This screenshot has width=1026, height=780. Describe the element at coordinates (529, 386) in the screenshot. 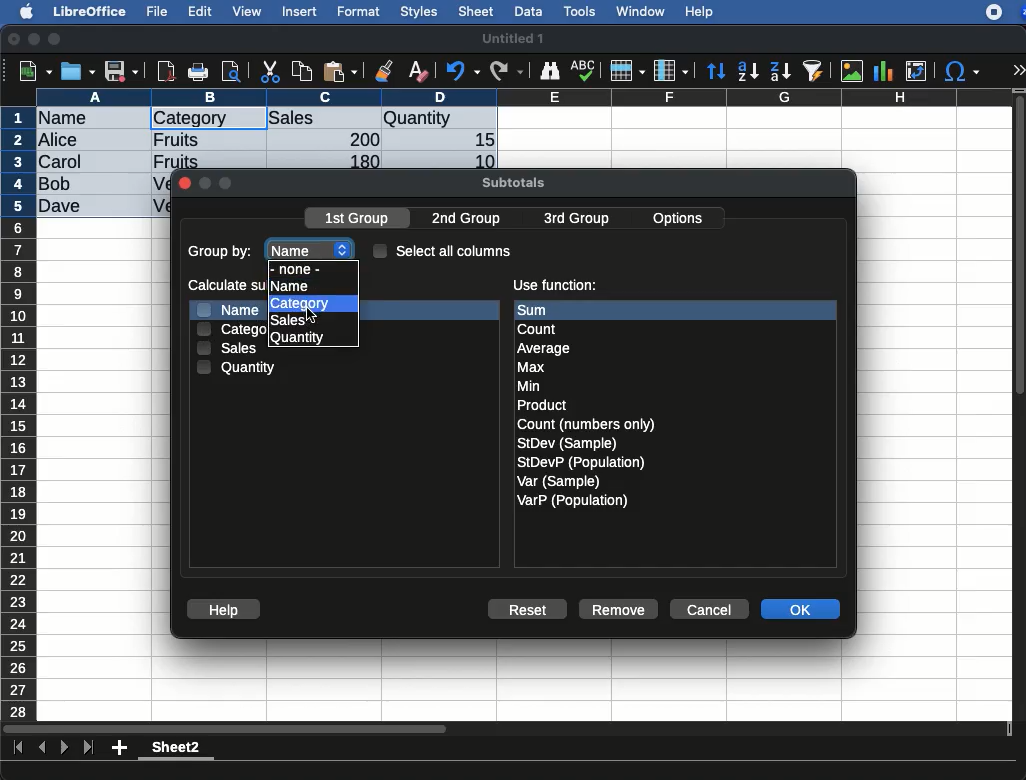

I see `Min` at that location.